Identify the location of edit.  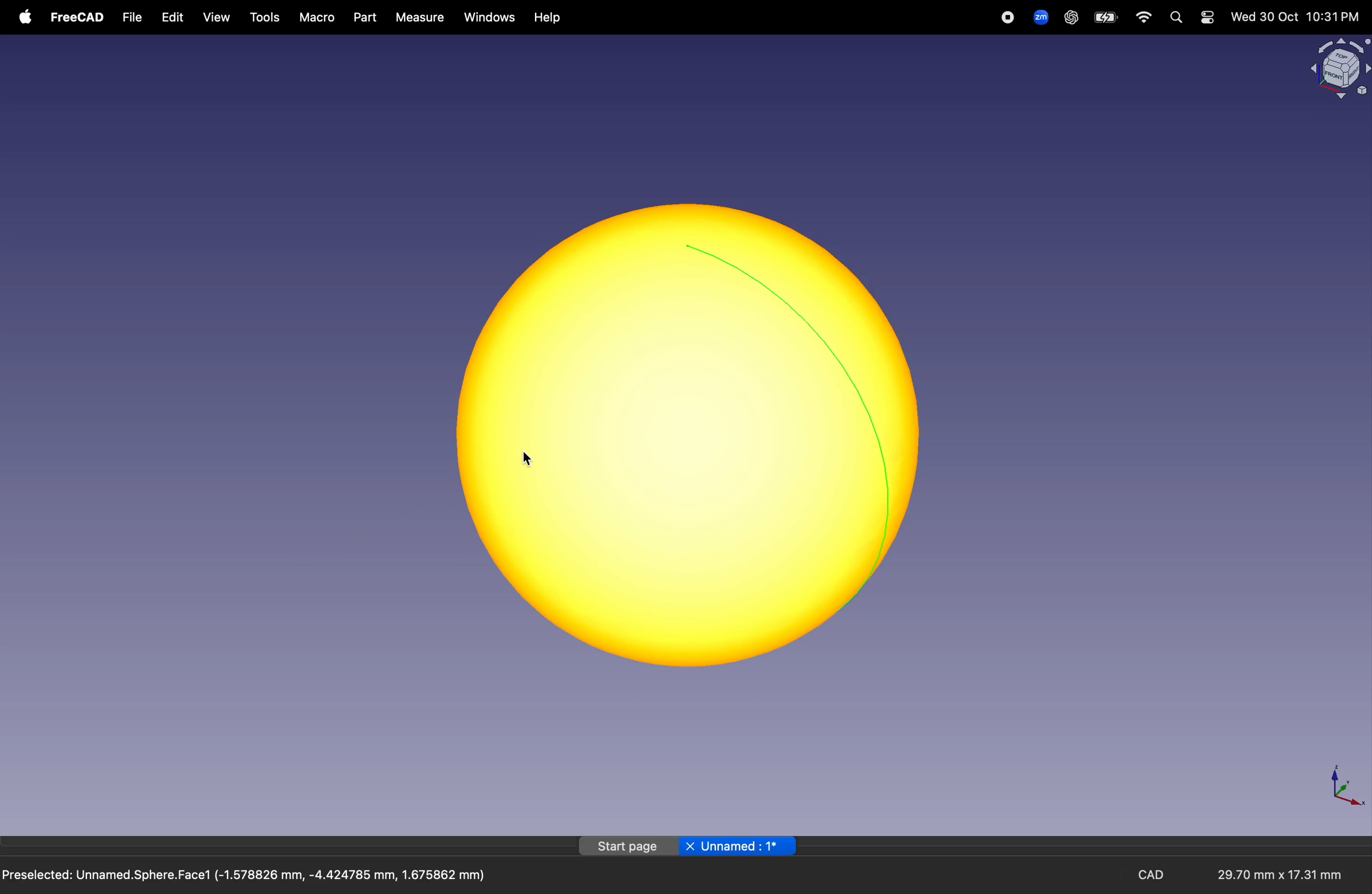
(170, 17).